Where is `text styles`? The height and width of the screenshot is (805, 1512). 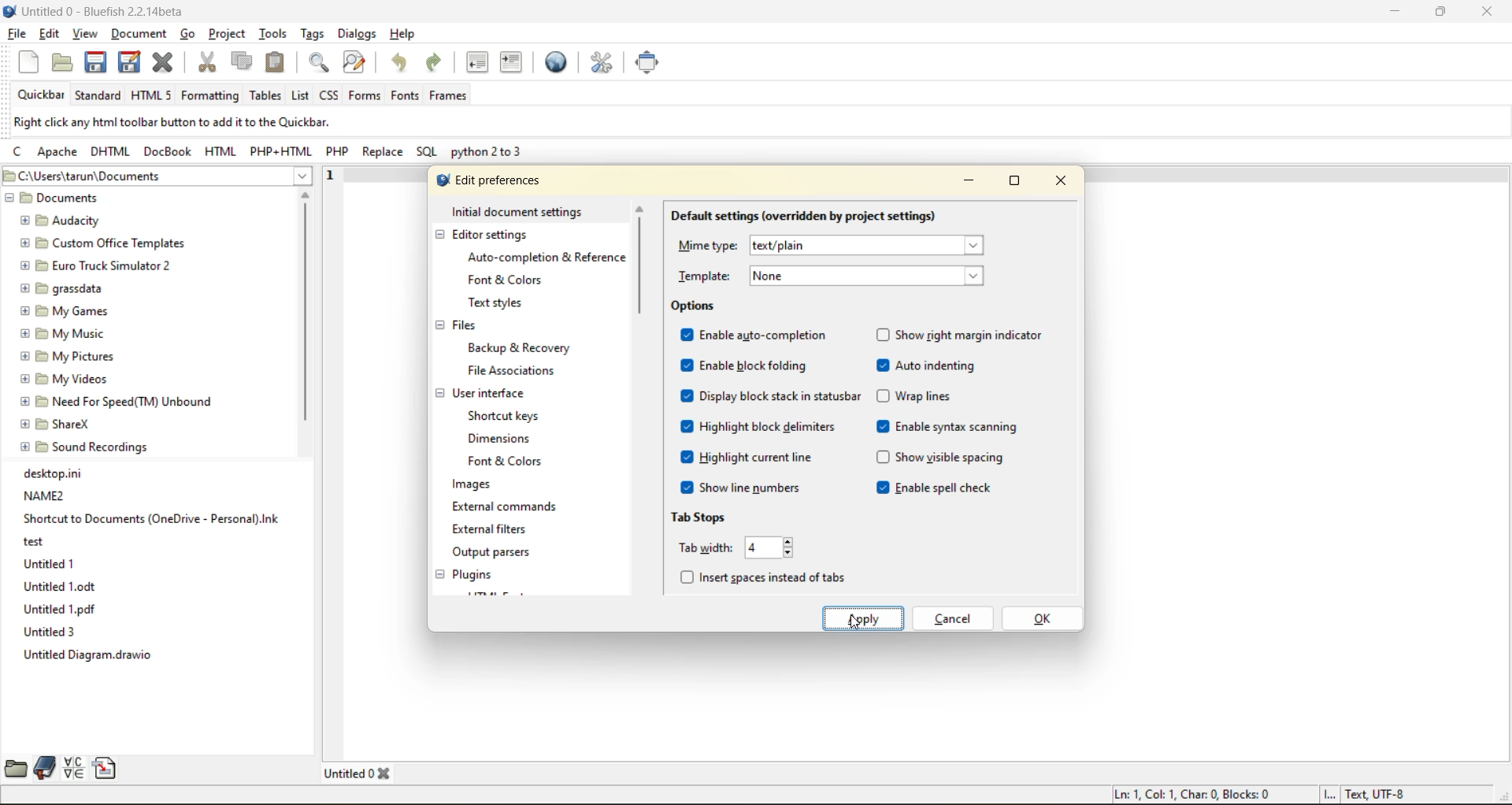
text styles is located at coordinates (501, 303).